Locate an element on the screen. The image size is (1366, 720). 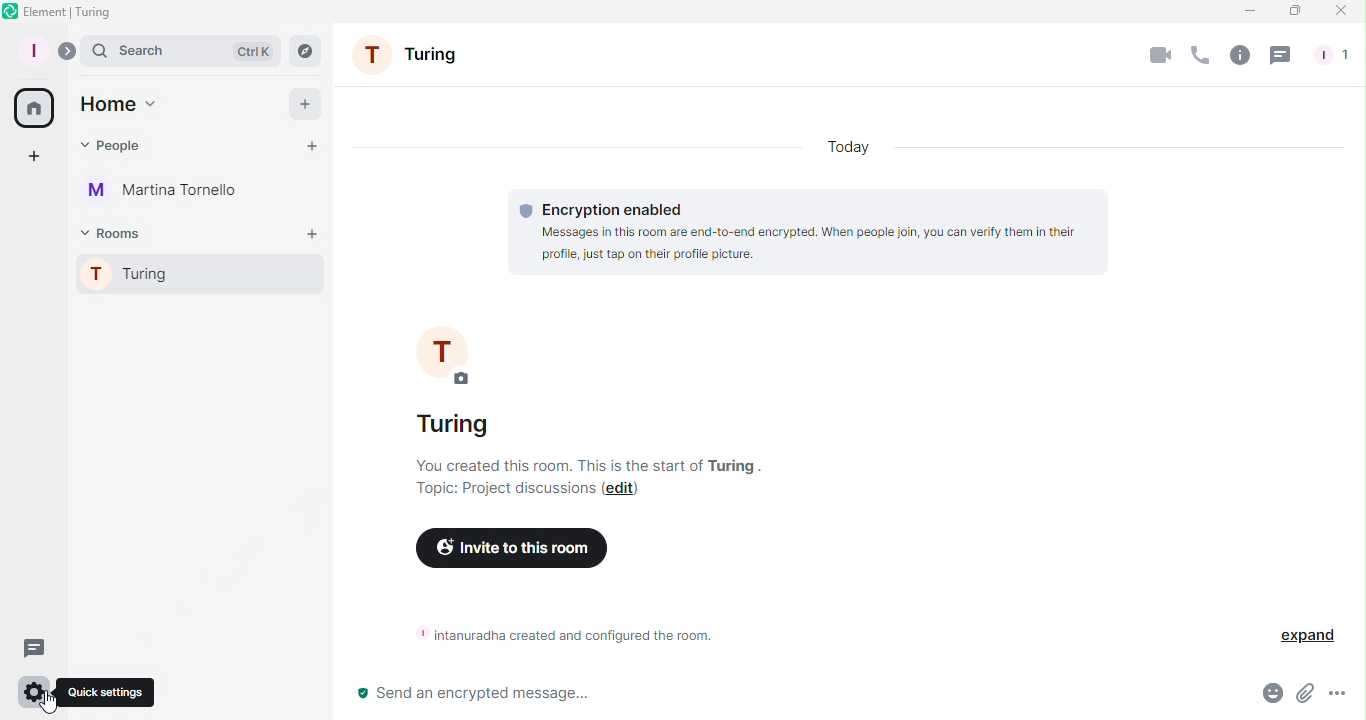
Room info is located at coordinates (1241, 60).